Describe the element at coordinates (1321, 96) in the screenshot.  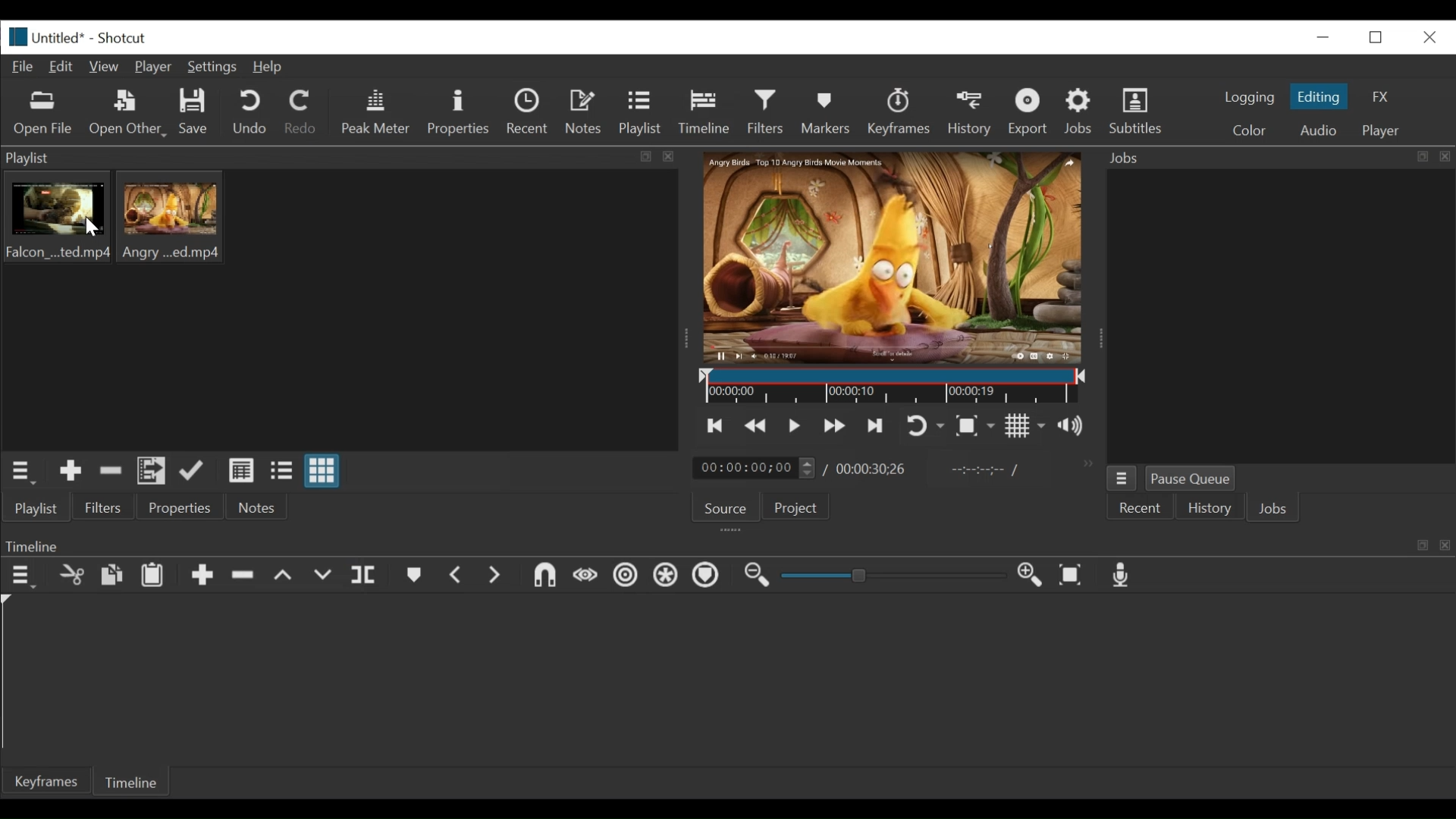
I see `Editing` at that location.